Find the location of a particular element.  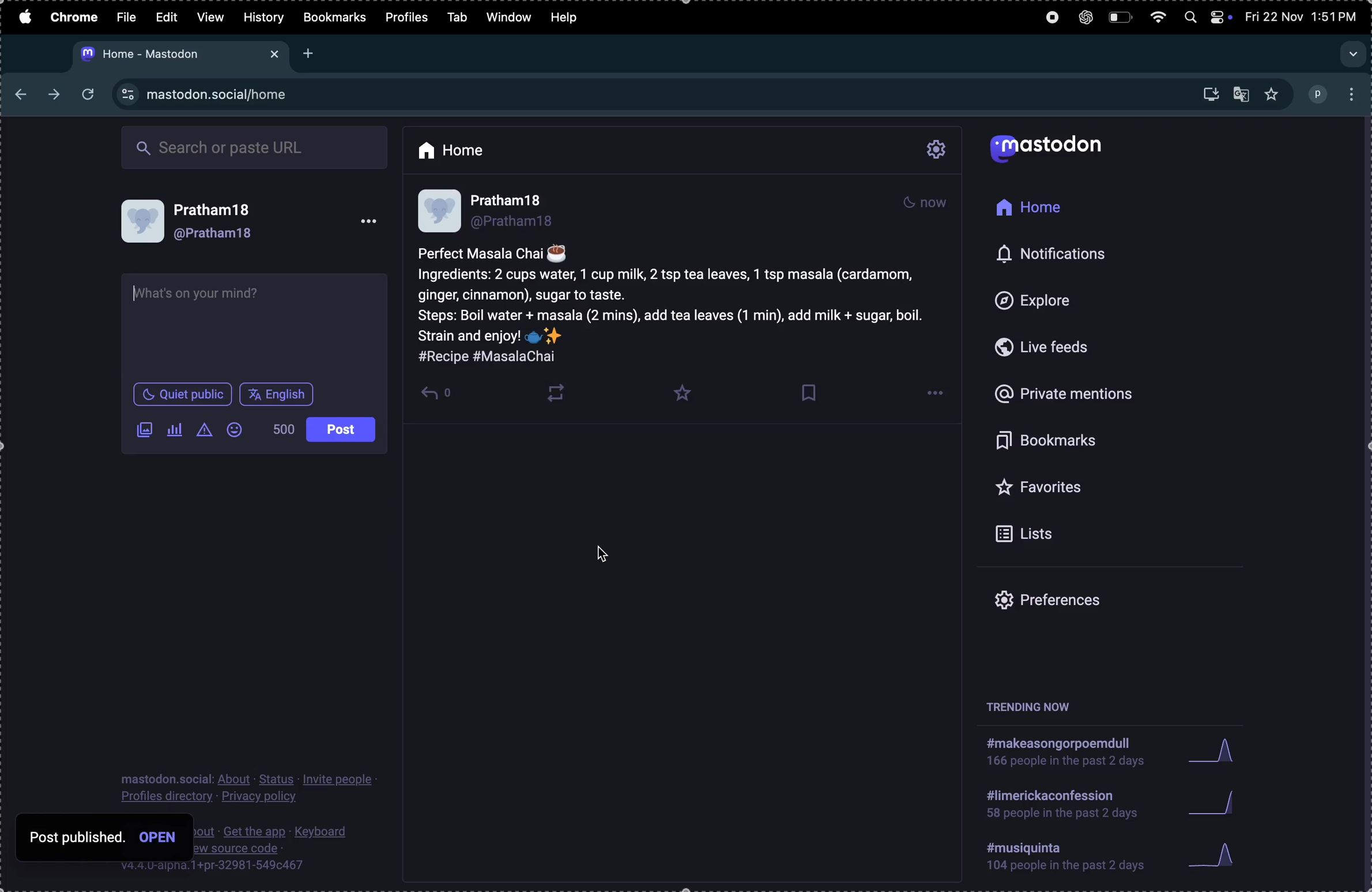

window is located at coordinates (510, 18).